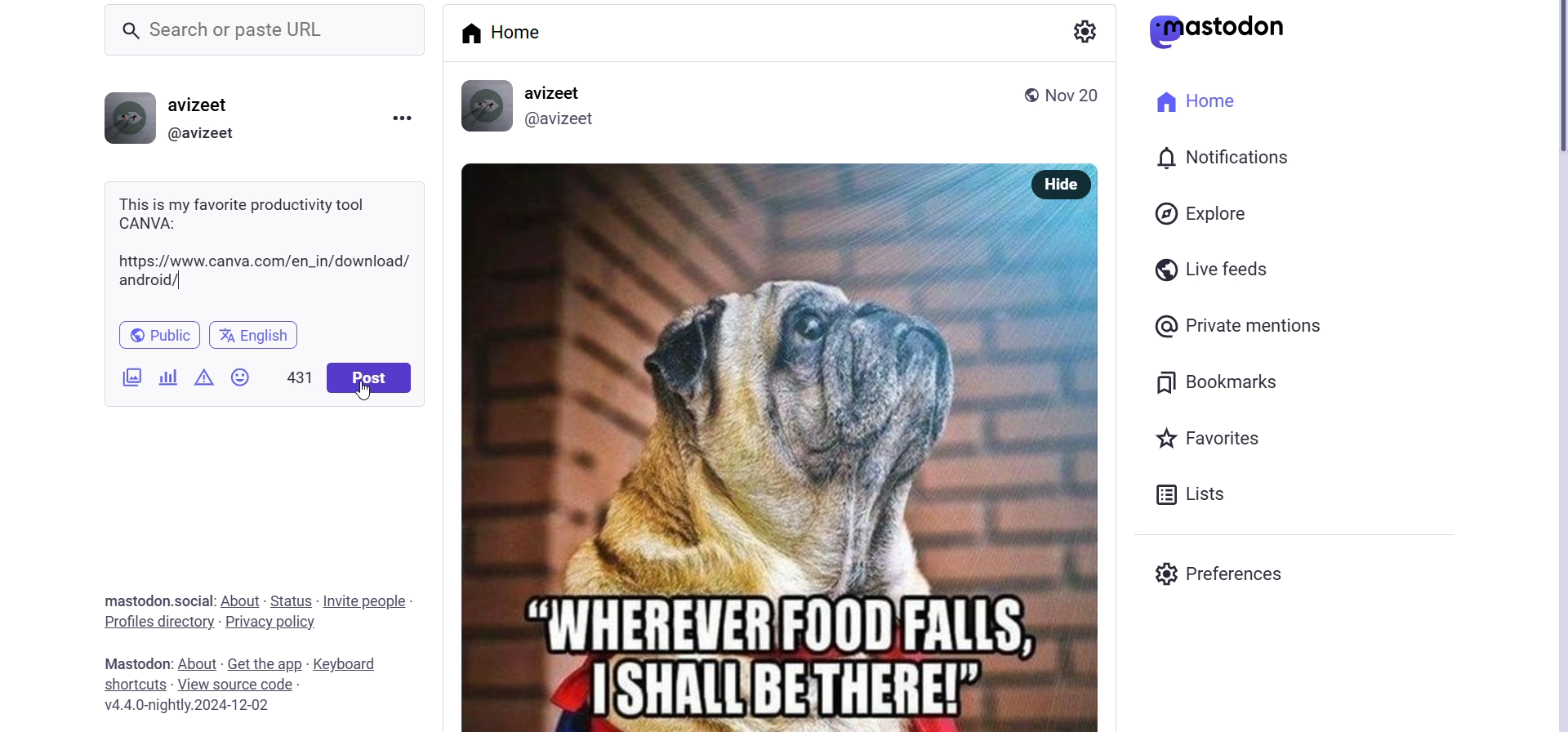  What do you see at coordinates (506, 33) in the screenshot?
I see `home page` at bounding box center [506, 33].